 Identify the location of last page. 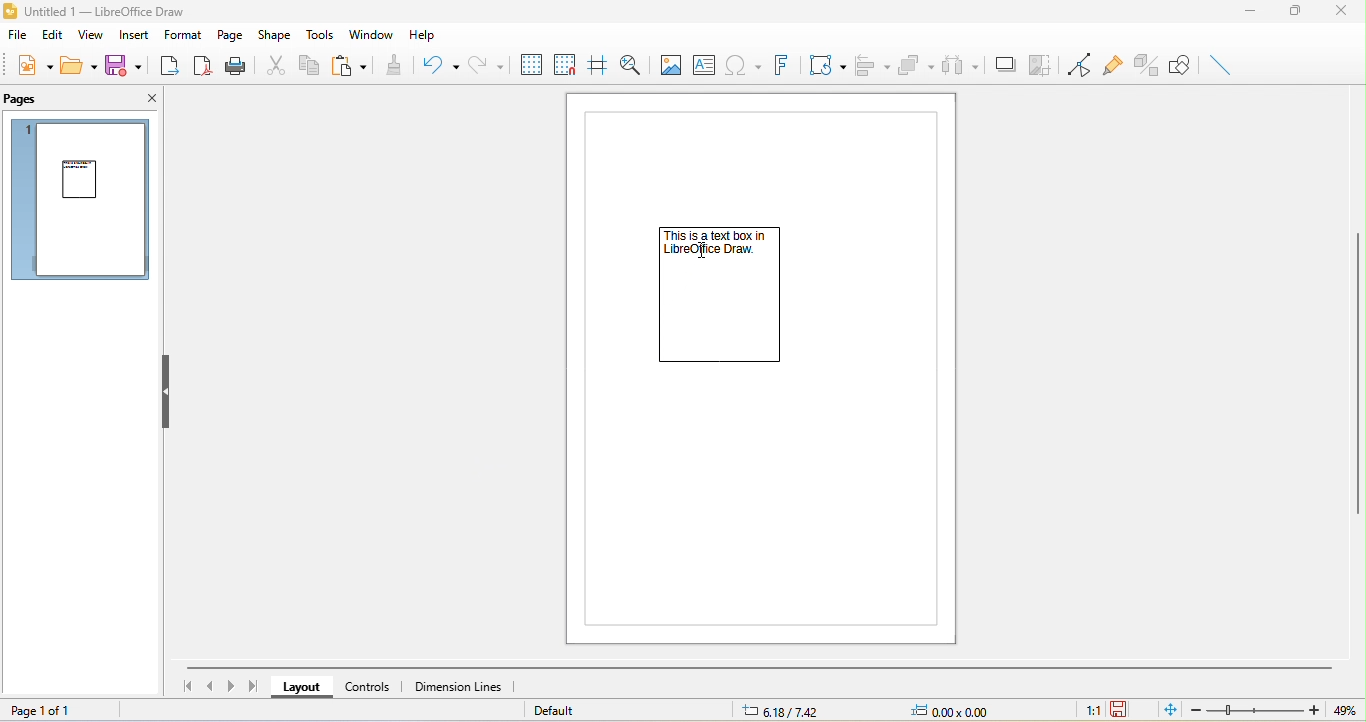
(253, 686).